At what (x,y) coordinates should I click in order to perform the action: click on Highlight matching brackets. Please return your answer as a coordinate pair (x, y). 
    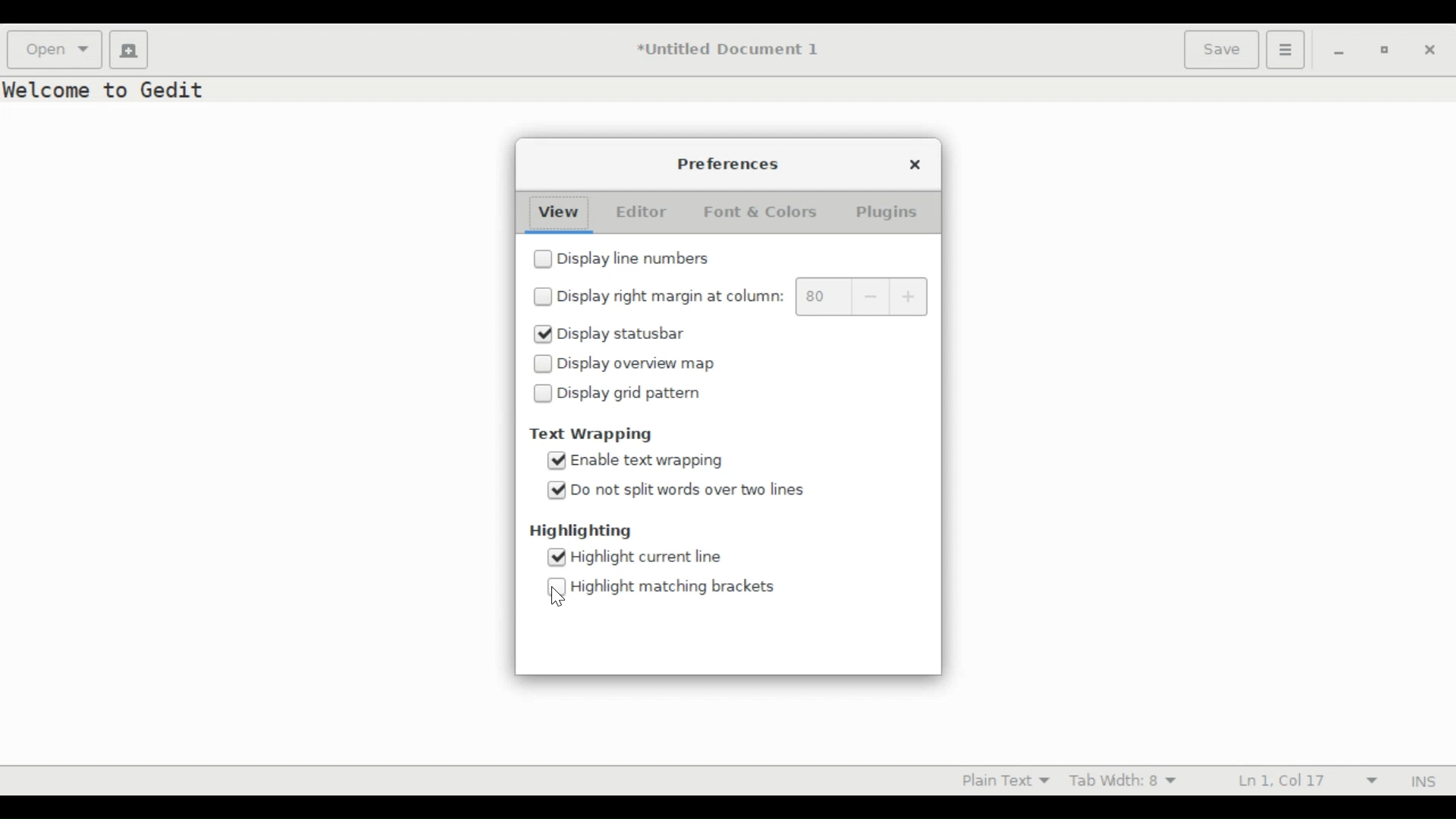
    Looking at the image, I should click on (676, 585).